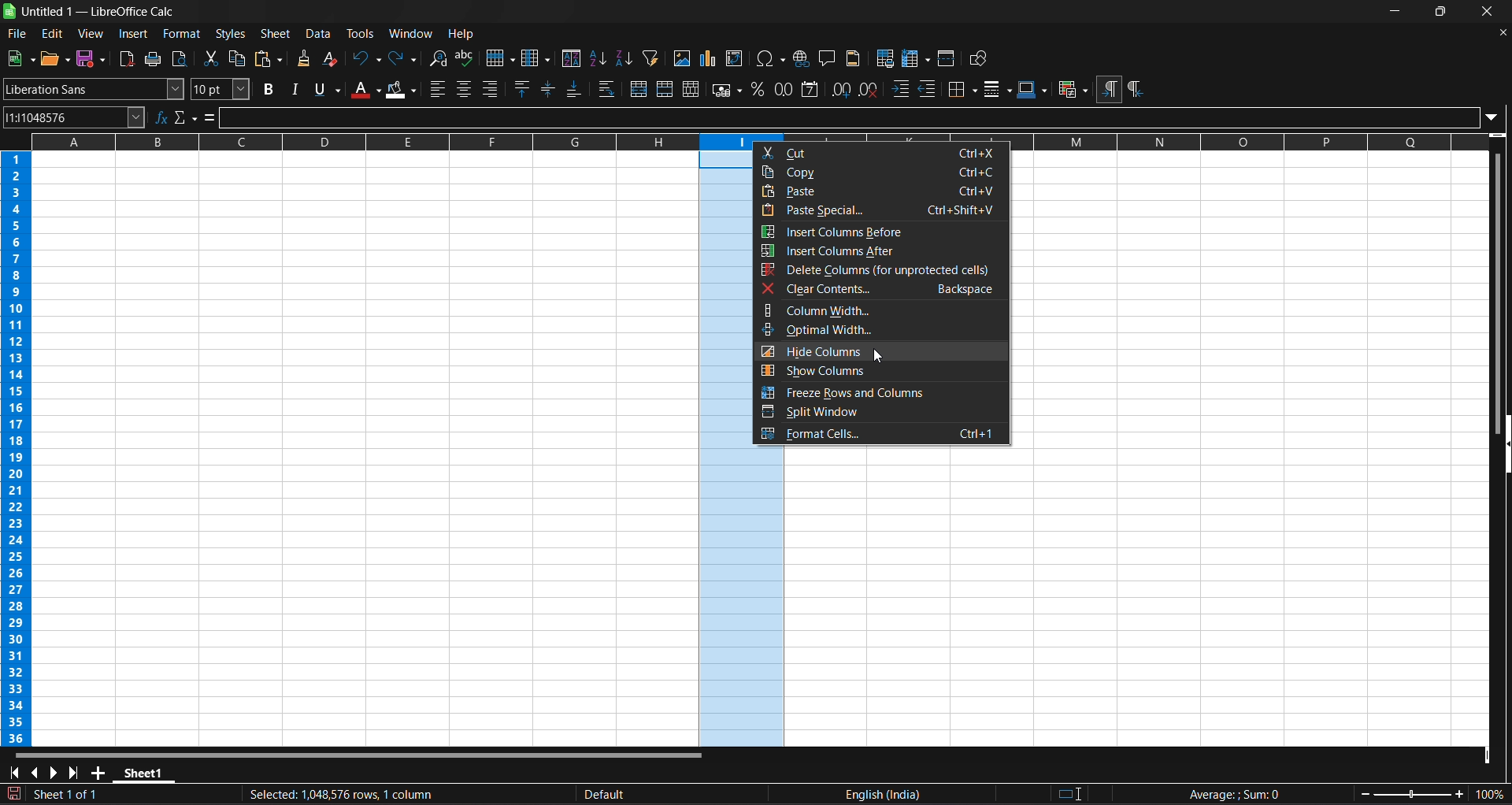 The image size is (1512, 805). I want to click on sort, so click(570, 57).